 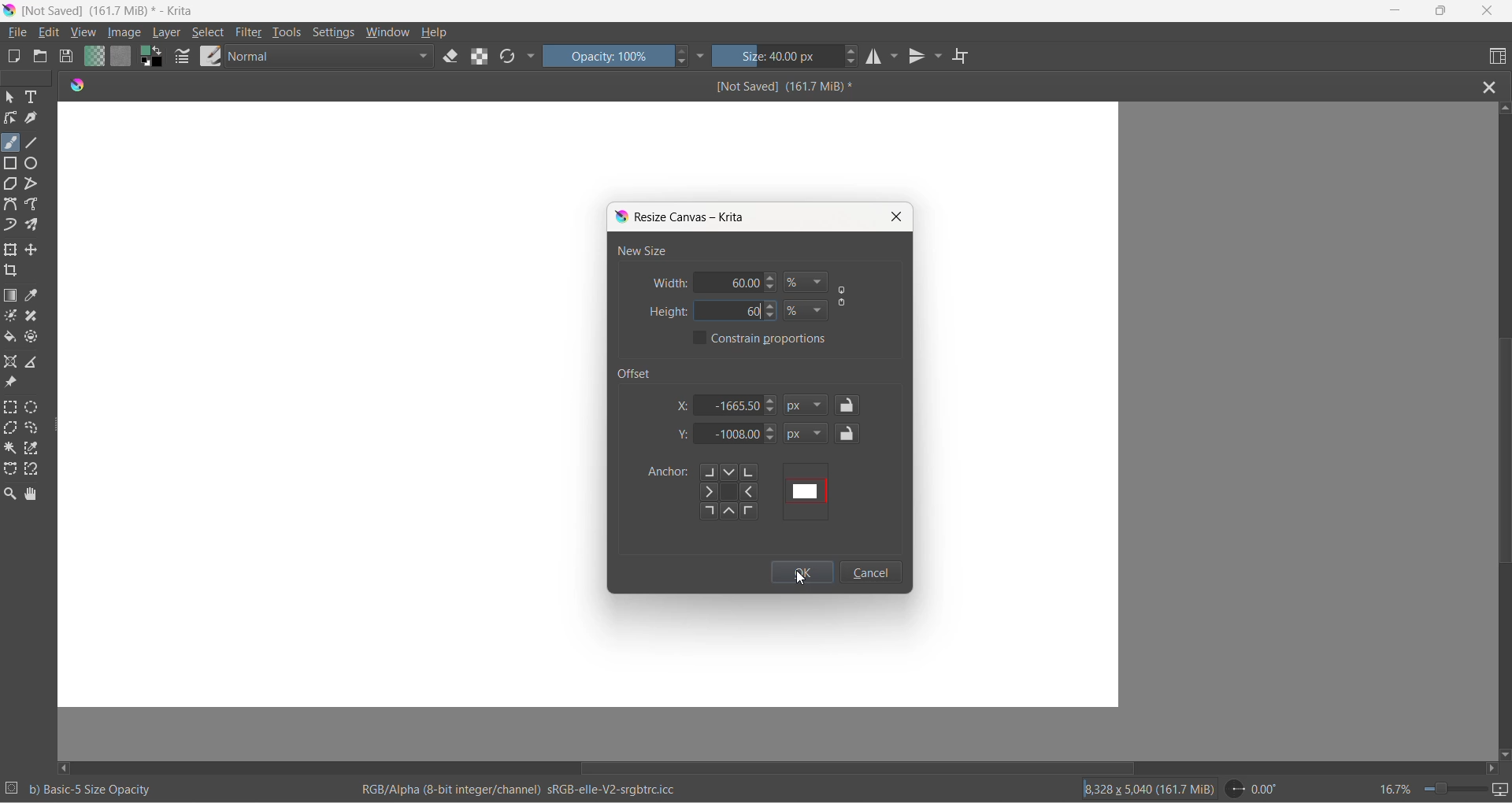 What do you see at coordinates (1503, 107) in the screenshot?
I see `scroll up button` at bounding box center [1503, 107].